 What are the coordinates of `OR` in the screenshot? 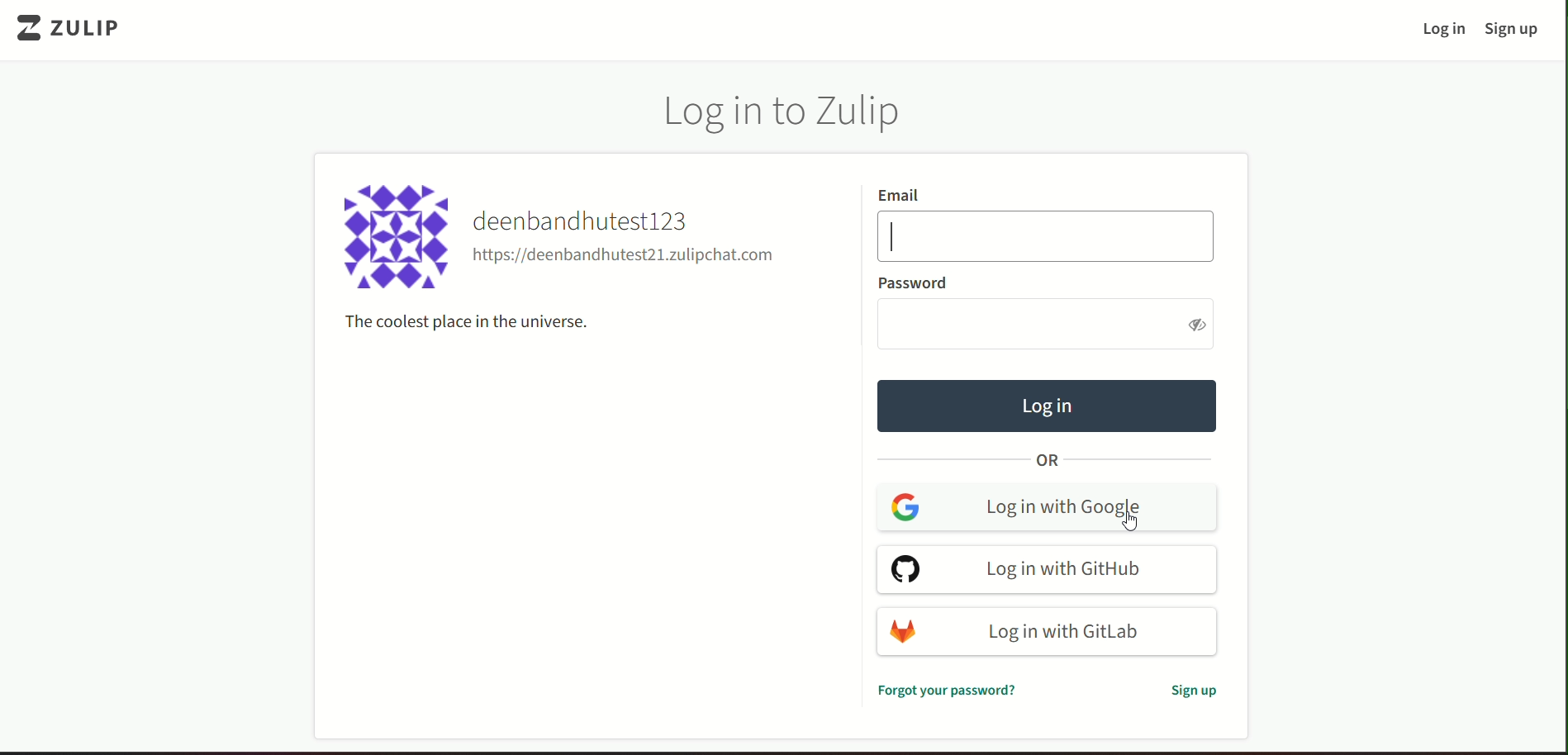 It's located at (1045, 462).